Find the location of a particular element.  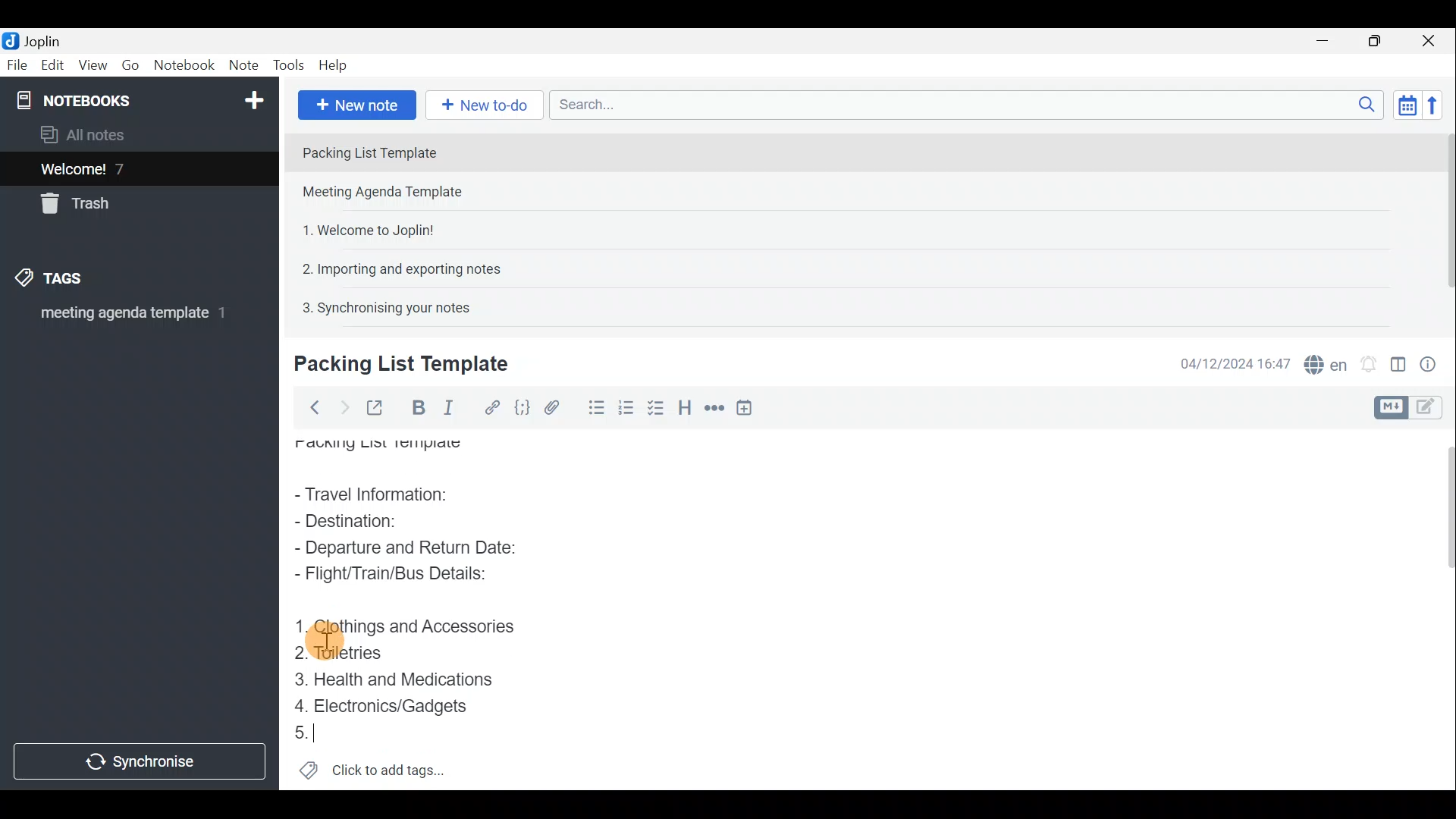

Synchronise is located at coordinates (142, 764).